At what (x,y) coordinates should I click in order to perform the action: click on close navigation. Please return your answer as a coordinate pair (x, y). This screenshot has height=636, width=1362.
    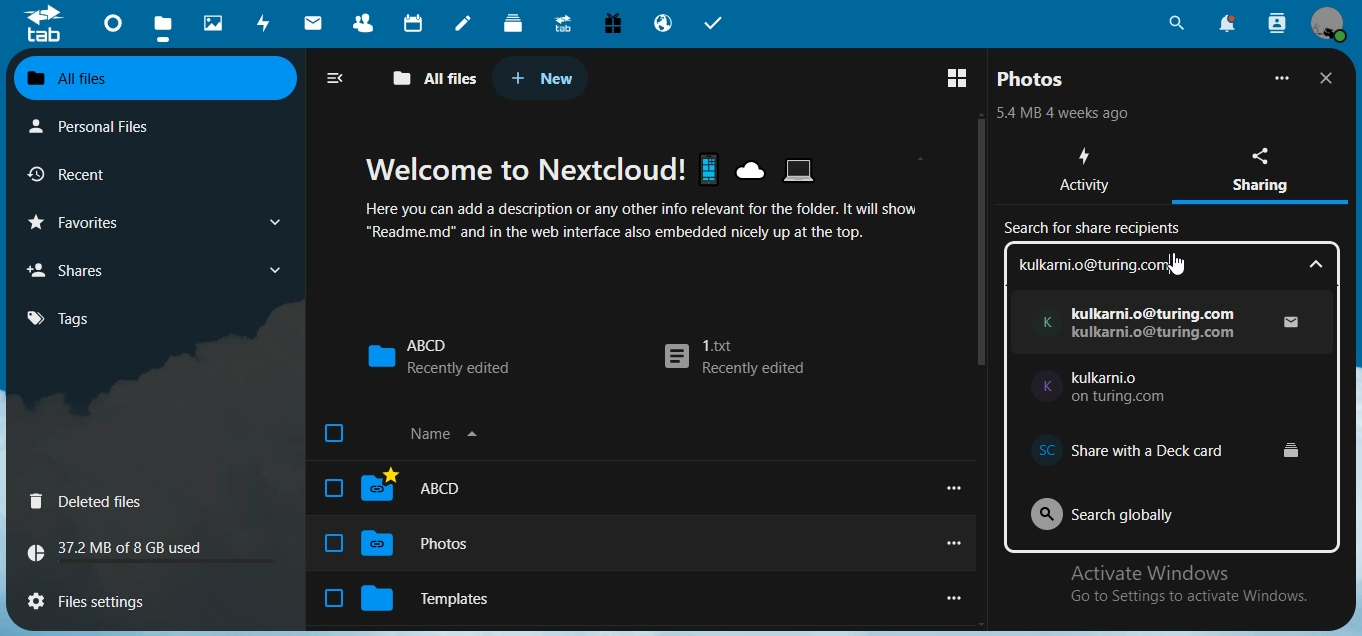
    Looking at the image, I should click on (340, 78).